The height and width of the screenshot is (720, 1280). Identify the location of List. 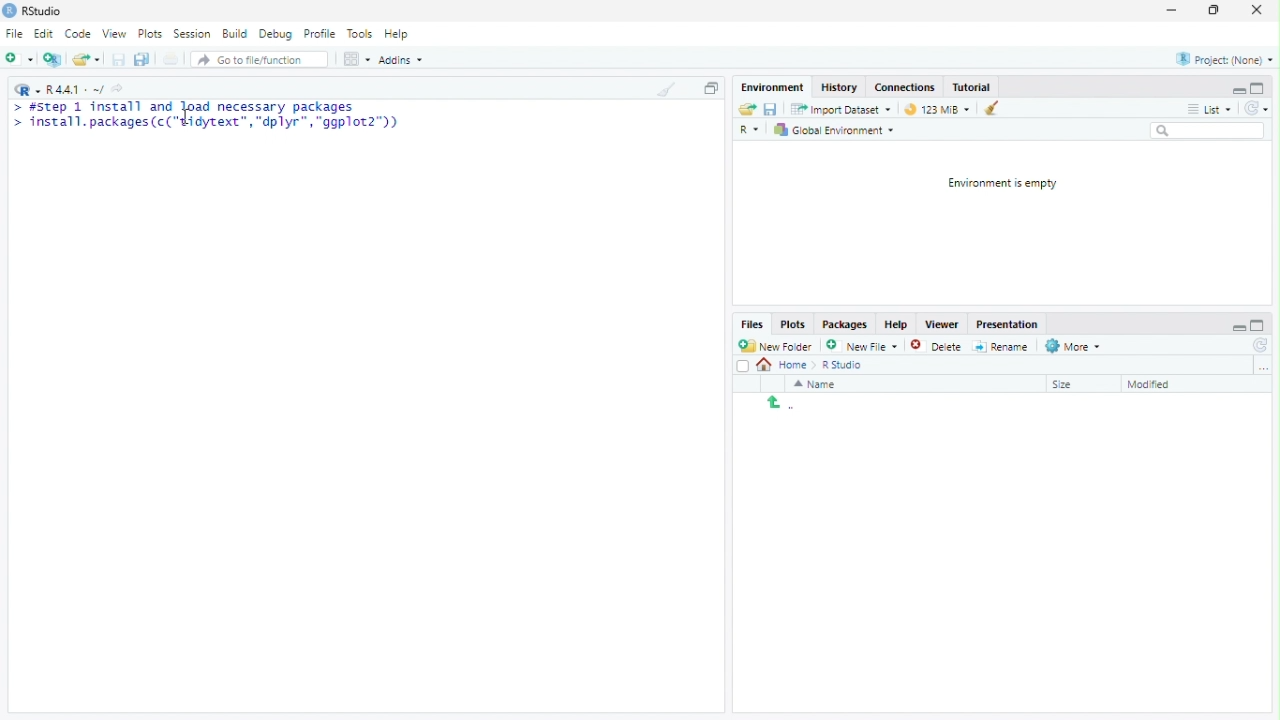
(1209, 107).